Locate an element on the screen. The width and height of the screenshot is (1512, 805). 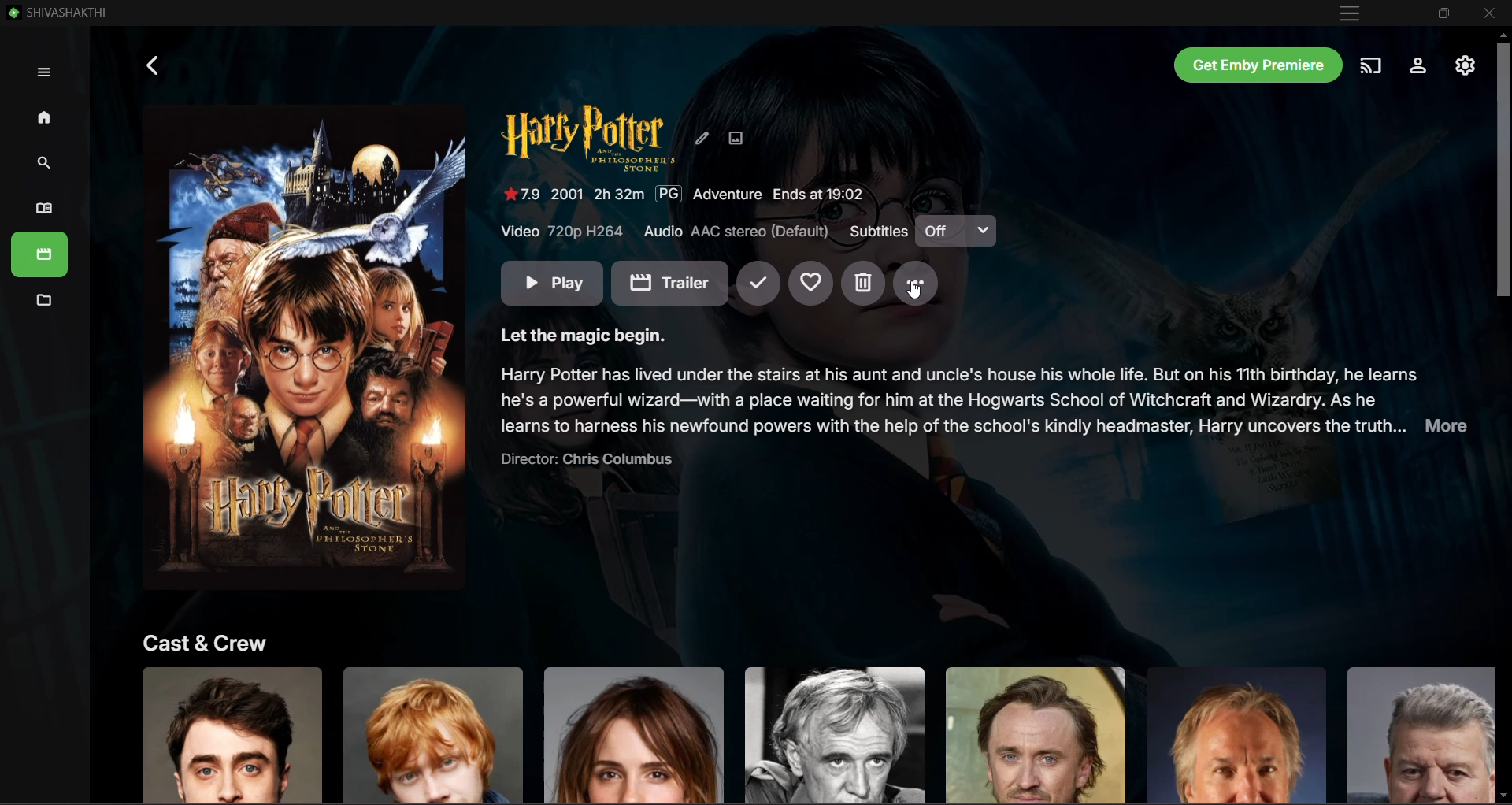
Back is located at coordinates (154, 65).